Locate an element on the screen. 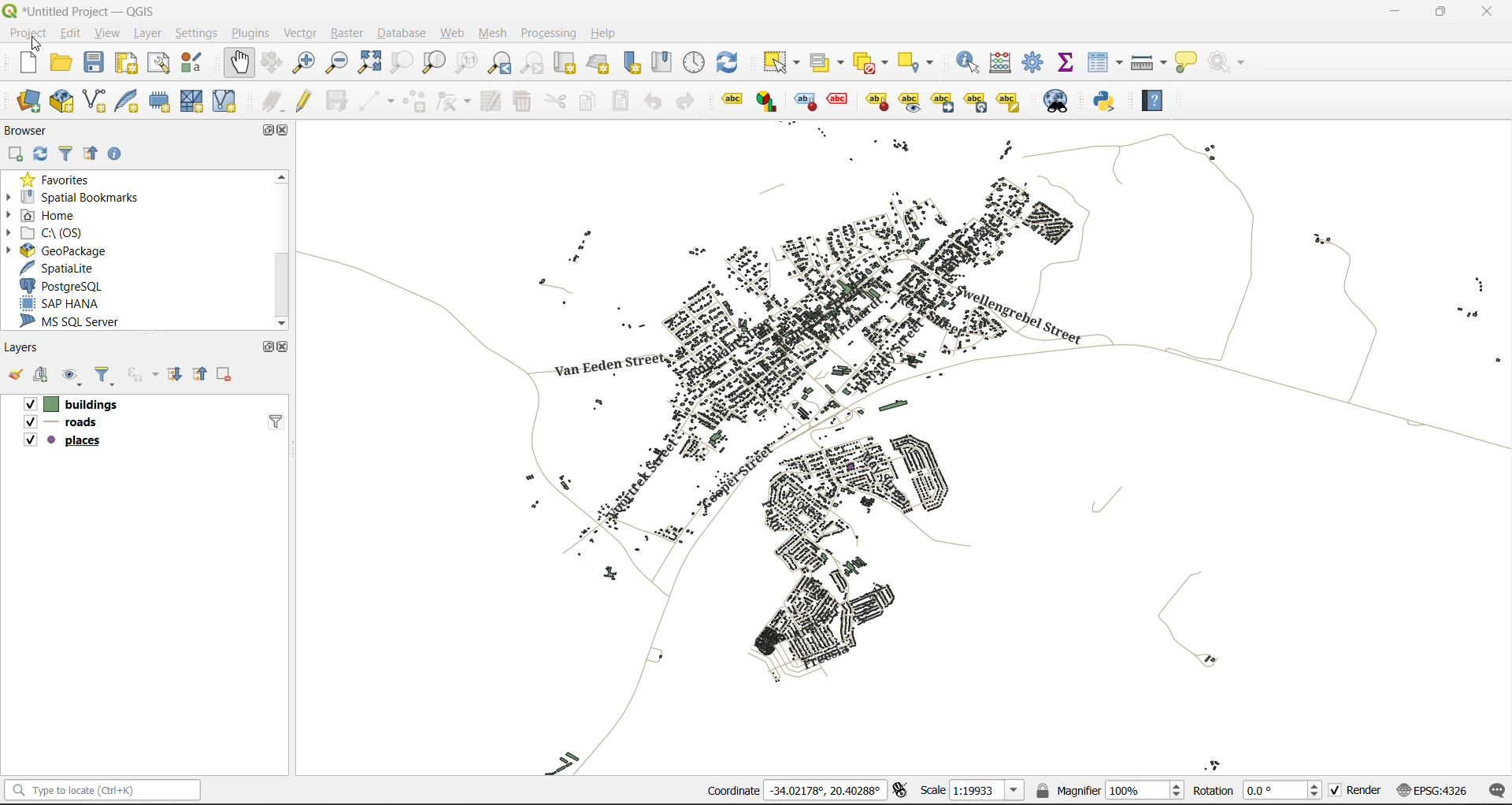  copy is located at coordinates (587, 101).